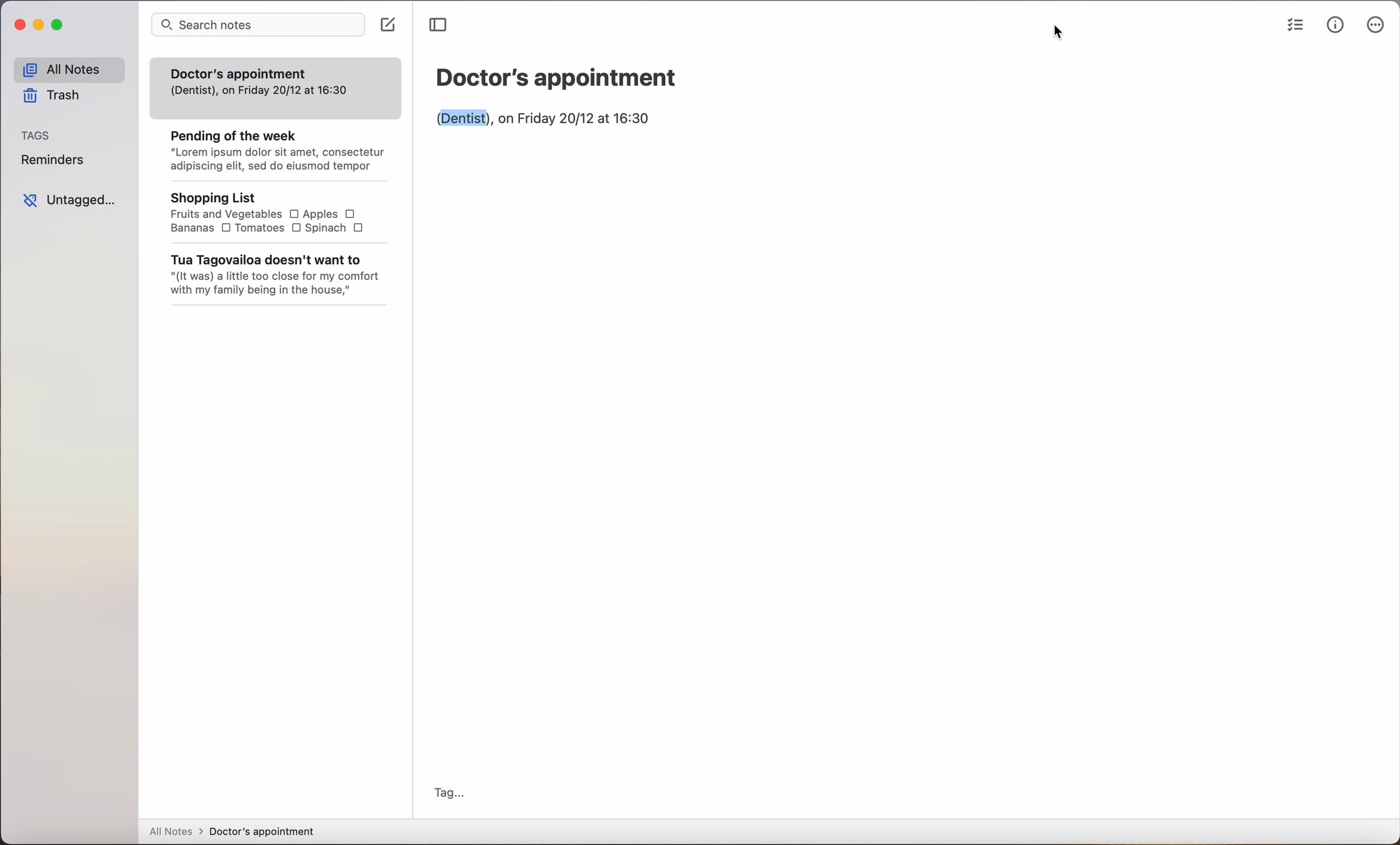  What do you see at coordinates (441, 25) in the screenshot?
I see `toggle sidebar` at bounding box center [441, 25].